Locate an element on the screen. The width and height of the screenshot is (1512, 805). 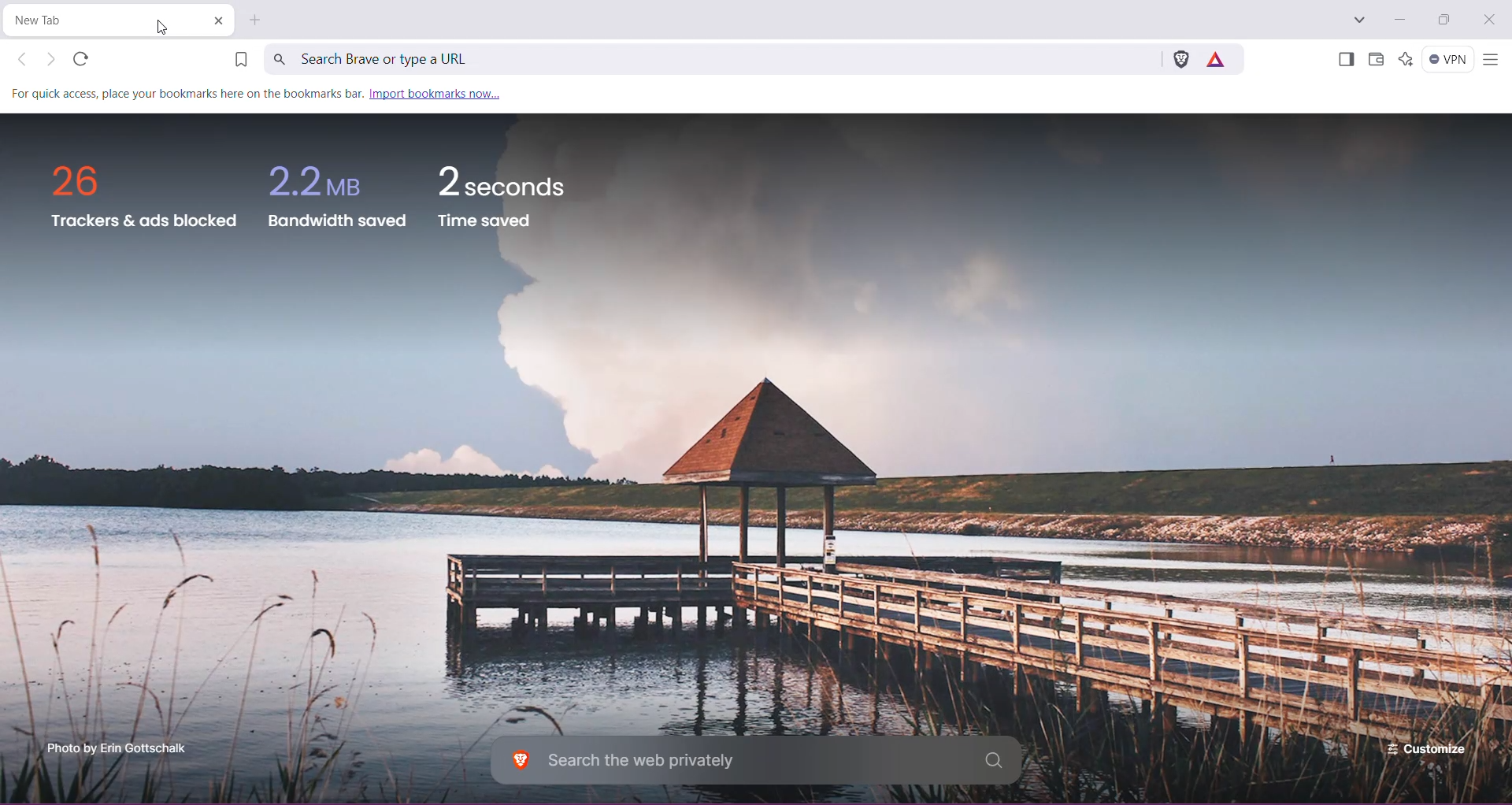
Brave Firewall + VPN is located at coordinates (1450, 59).